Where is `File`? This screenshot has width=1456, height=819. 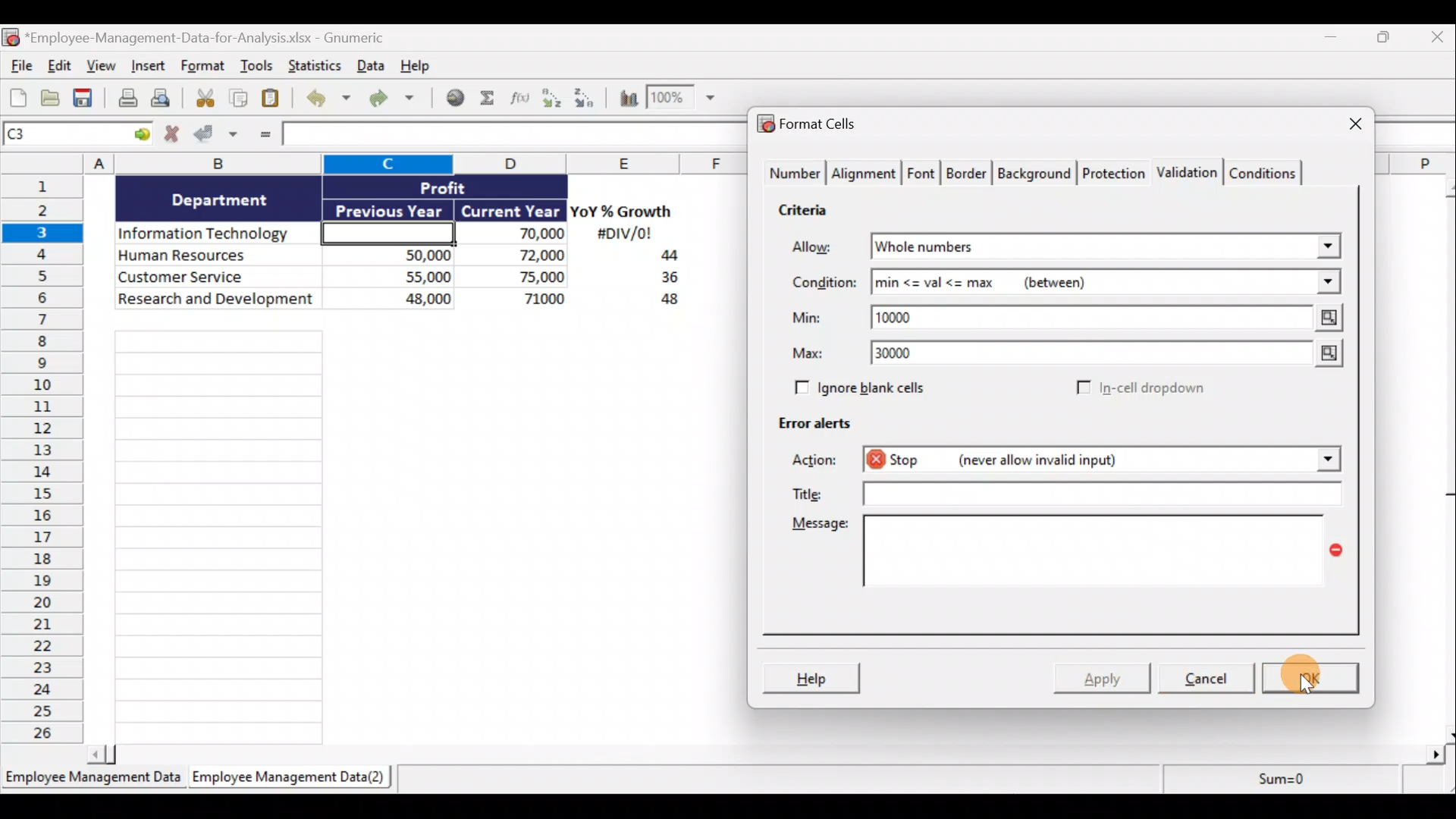
File is located at coordinates (18, 67).